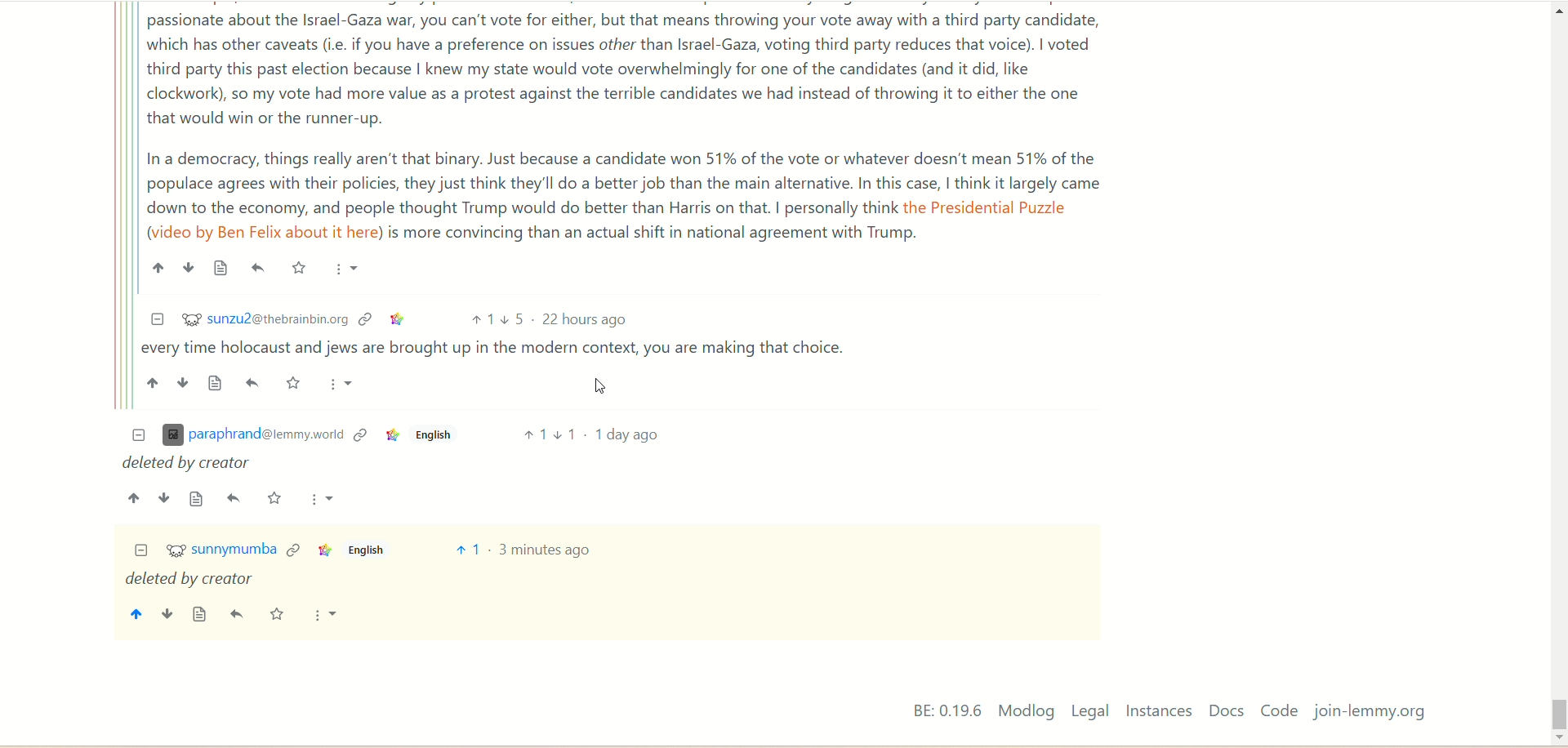 The width and height of the screenshot is (1568, 748). I want to click on Link, so click(366, 319).